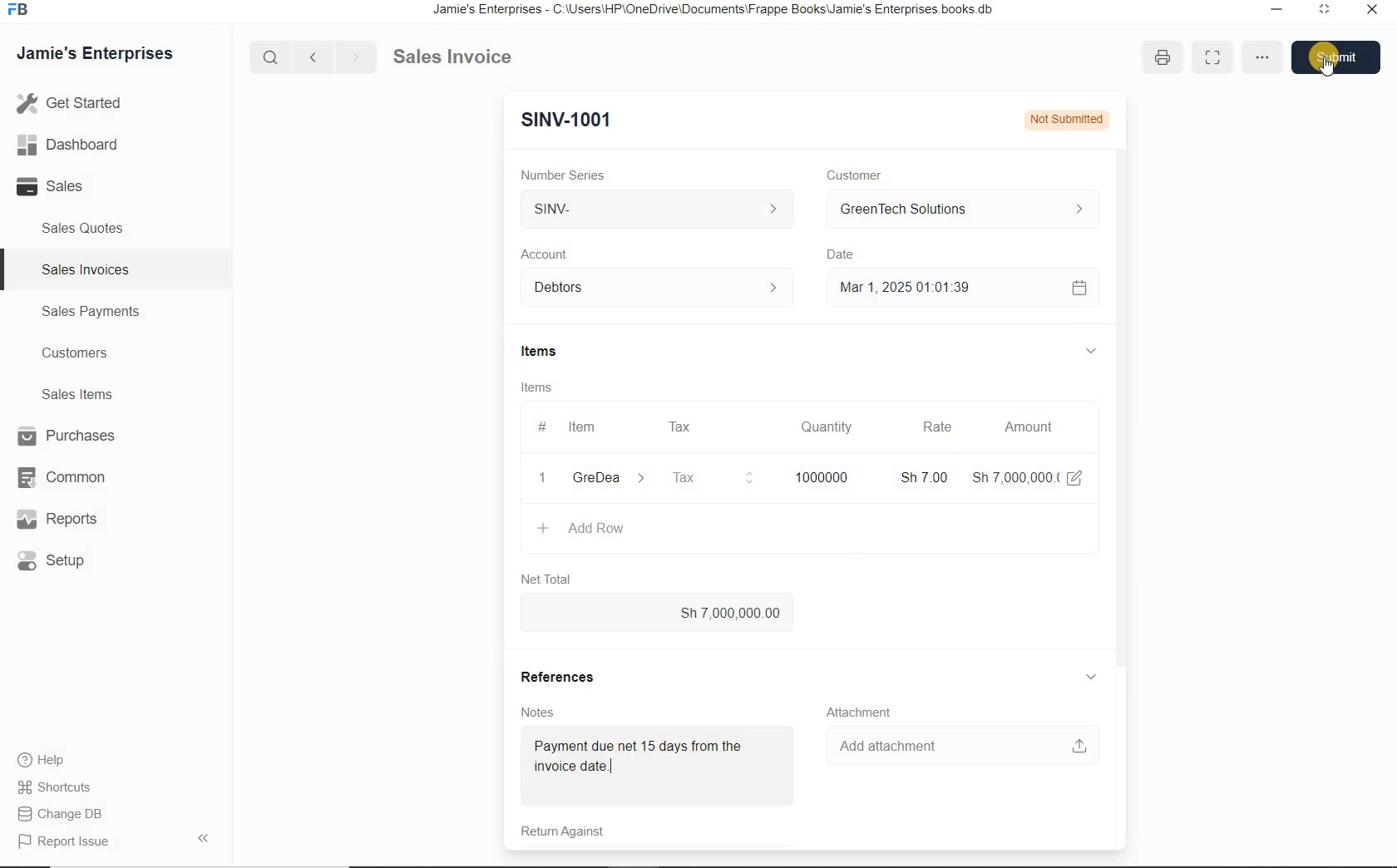  Describe the element at coordinates (1119, 387) in the screenshot. I see `vertical scrollbar` at that location.